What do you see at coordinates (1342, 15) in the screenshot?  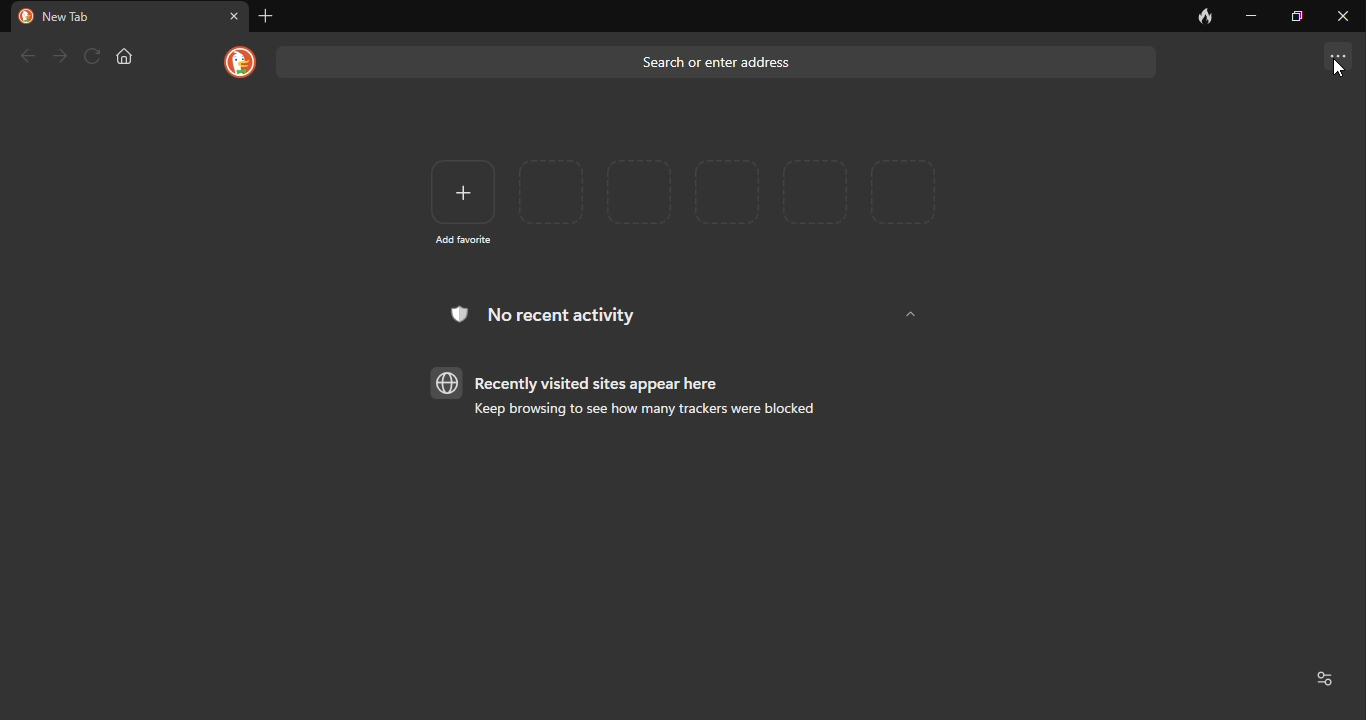 I see `close` at bounding box center [1342, 15].